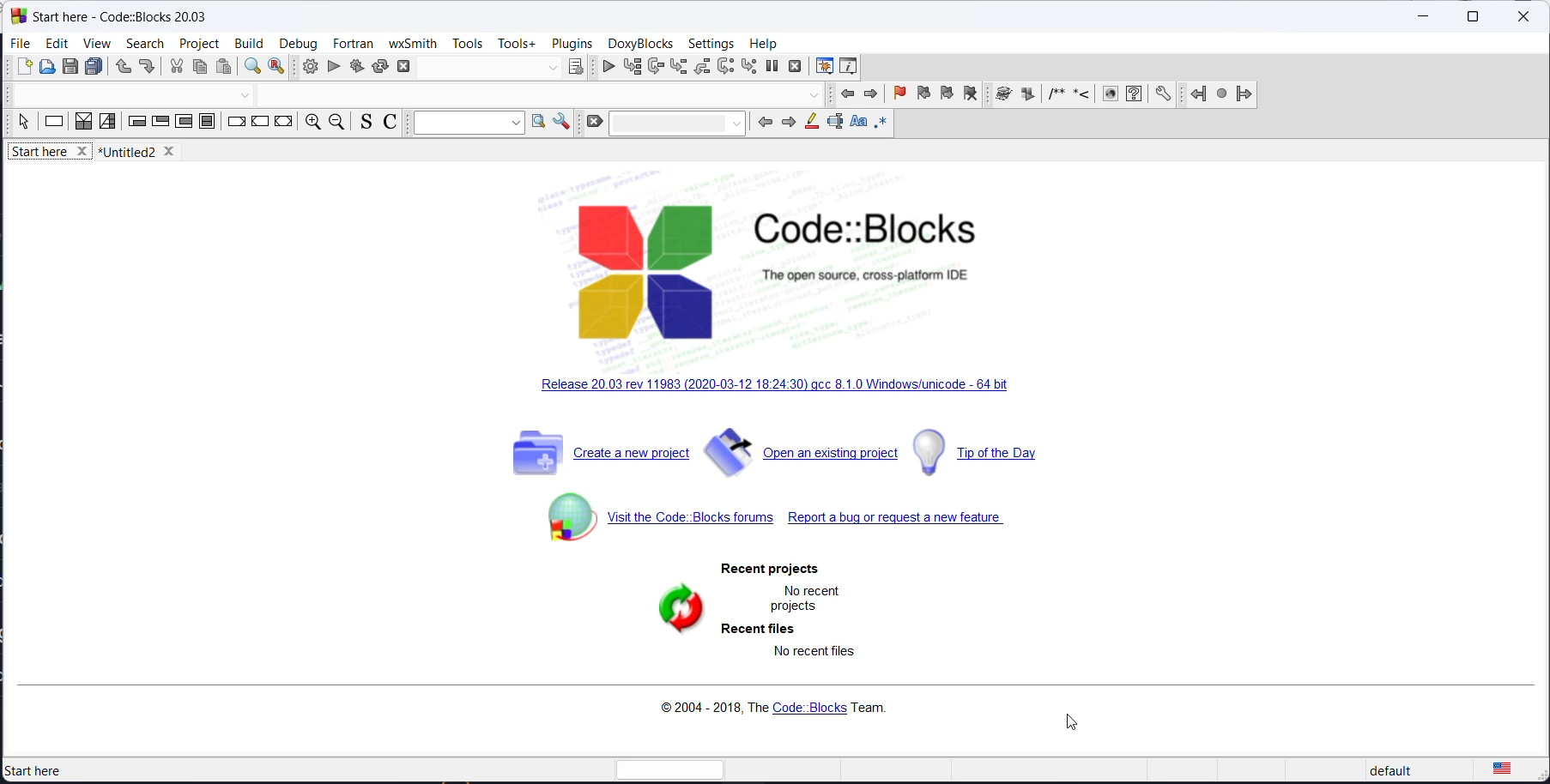 Image resolution: width=1550 pixels, height=784 pixels. What do you see at coordinates (1074, 726) in the screenshot?
I see `cursor` at bounding box center [1074, 726].